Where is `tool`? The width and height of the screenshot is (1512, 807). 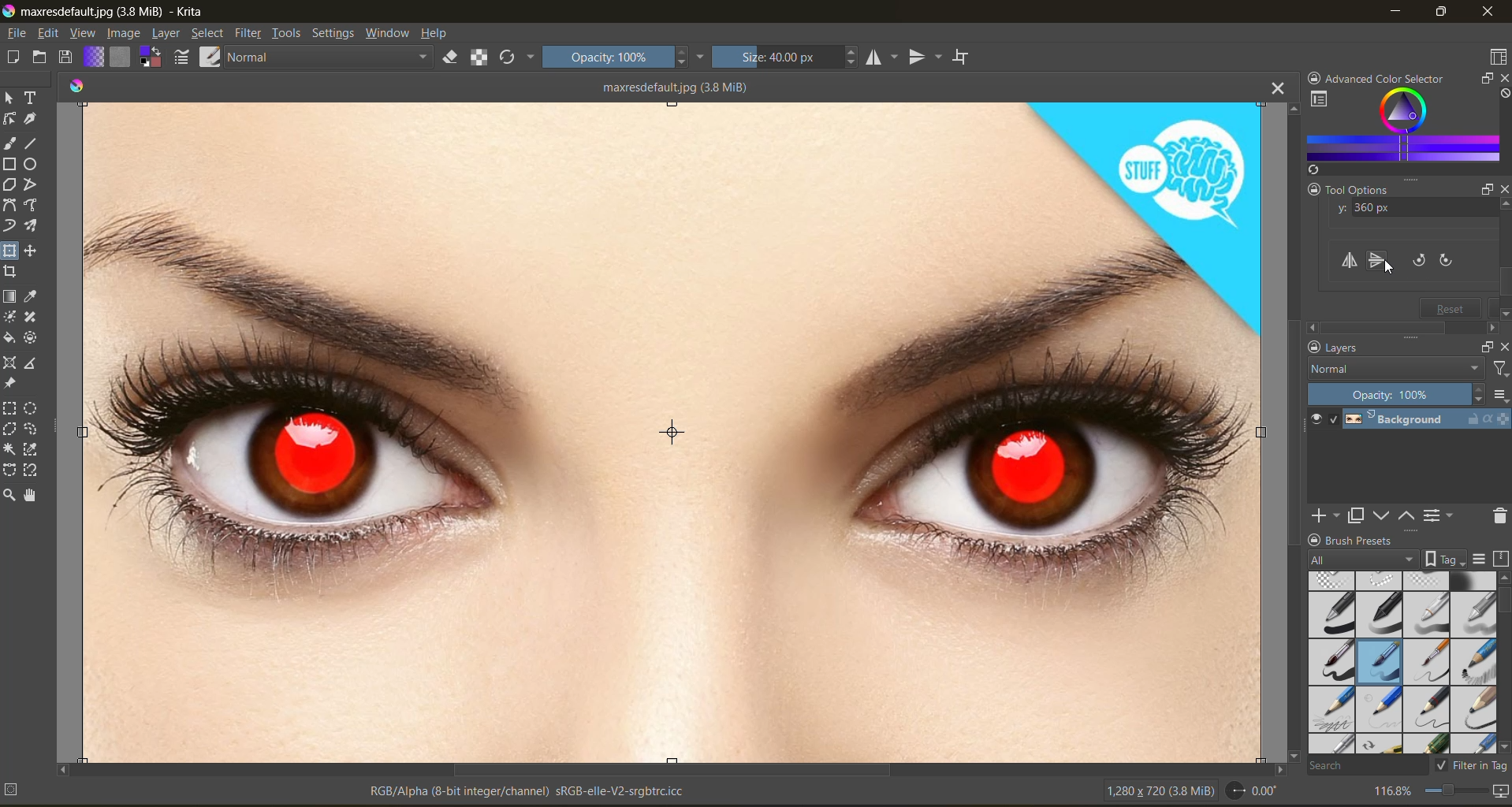
tool is located at coordinates (13, 272).